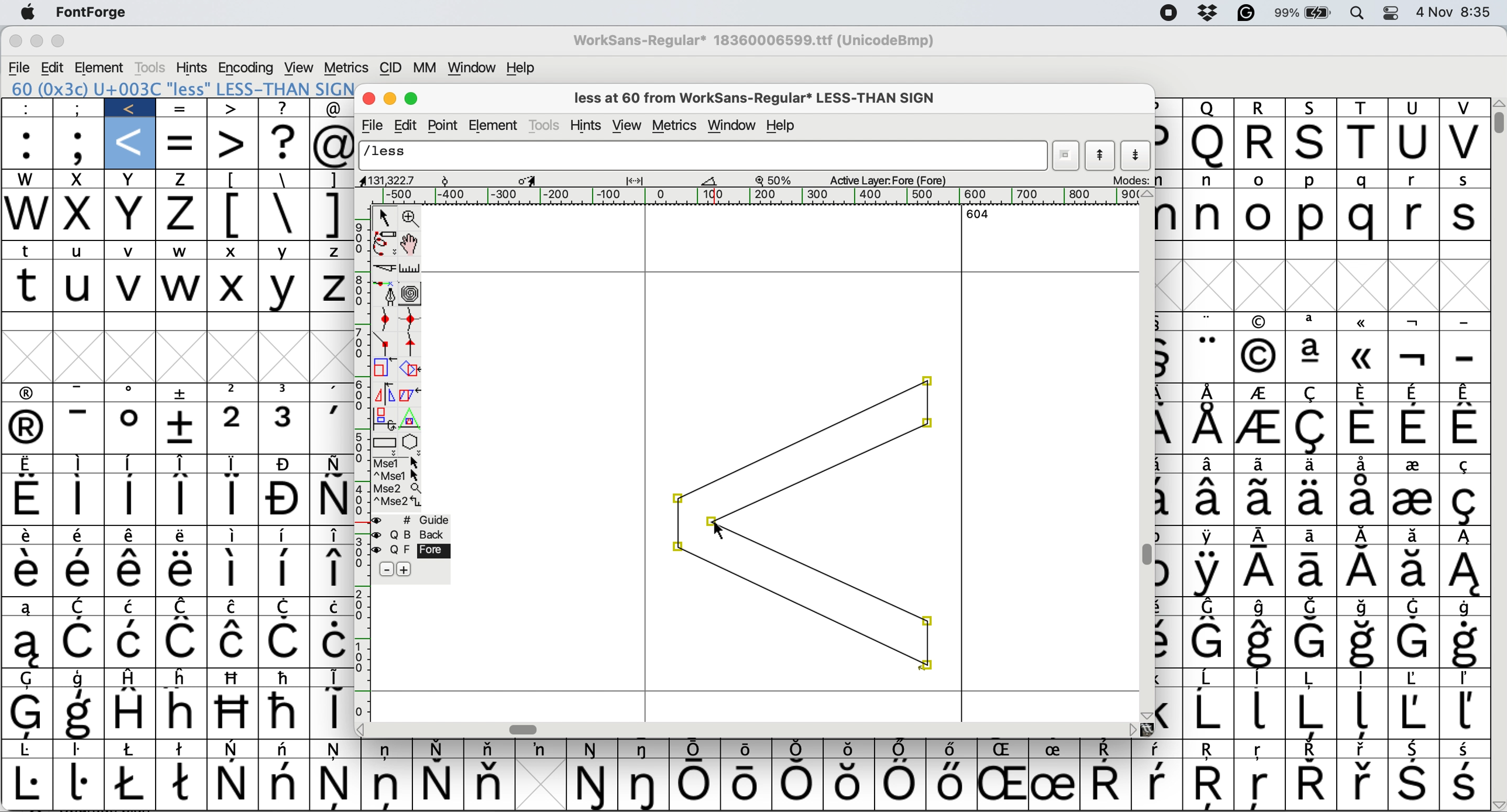 This screenshot has height=812, width=1507. I want to click on Symbol, so click(183, 462).